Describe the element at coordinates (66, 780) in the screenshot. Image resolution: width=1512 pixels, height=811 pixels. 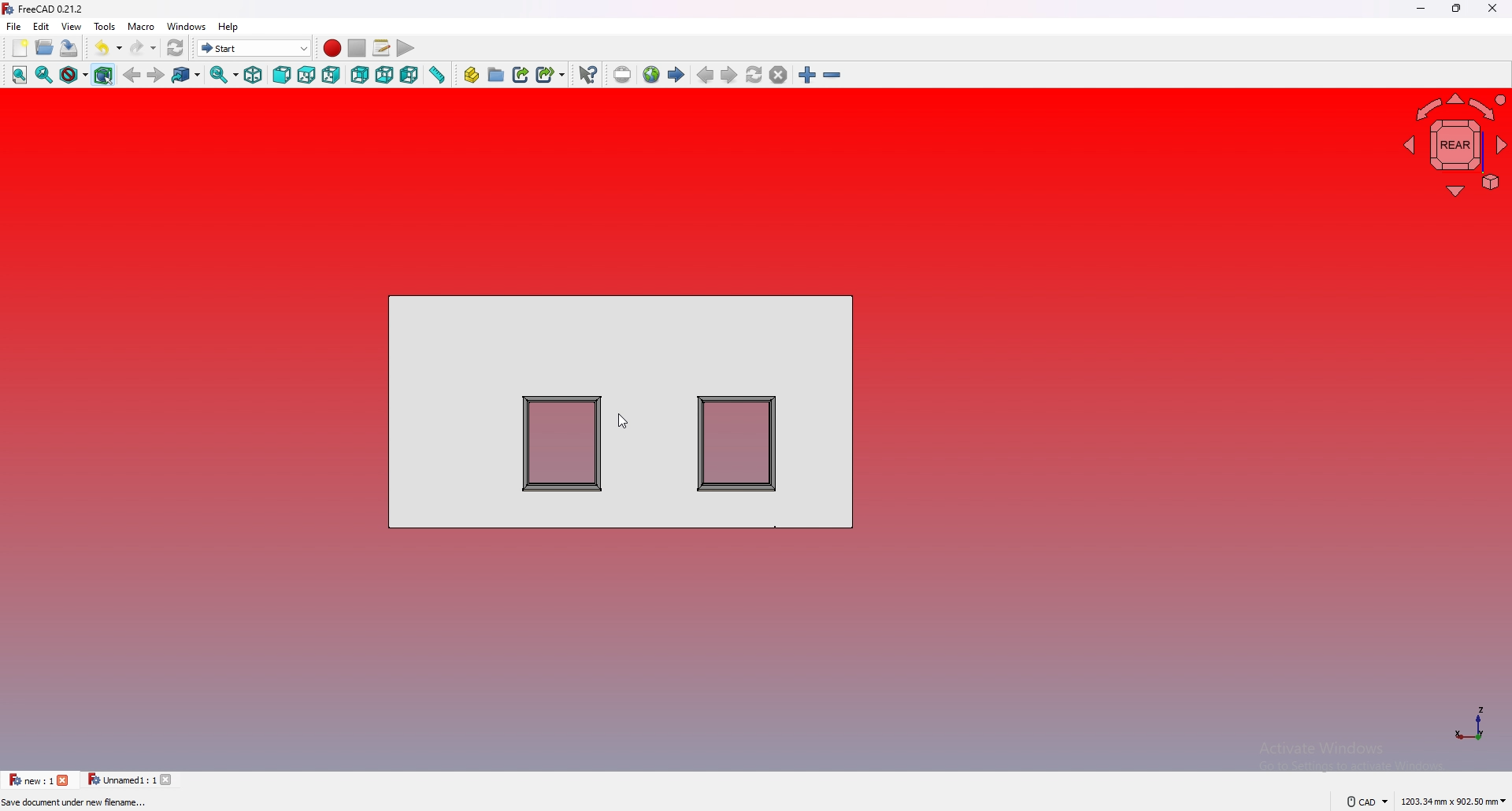
I see `close` at that location.